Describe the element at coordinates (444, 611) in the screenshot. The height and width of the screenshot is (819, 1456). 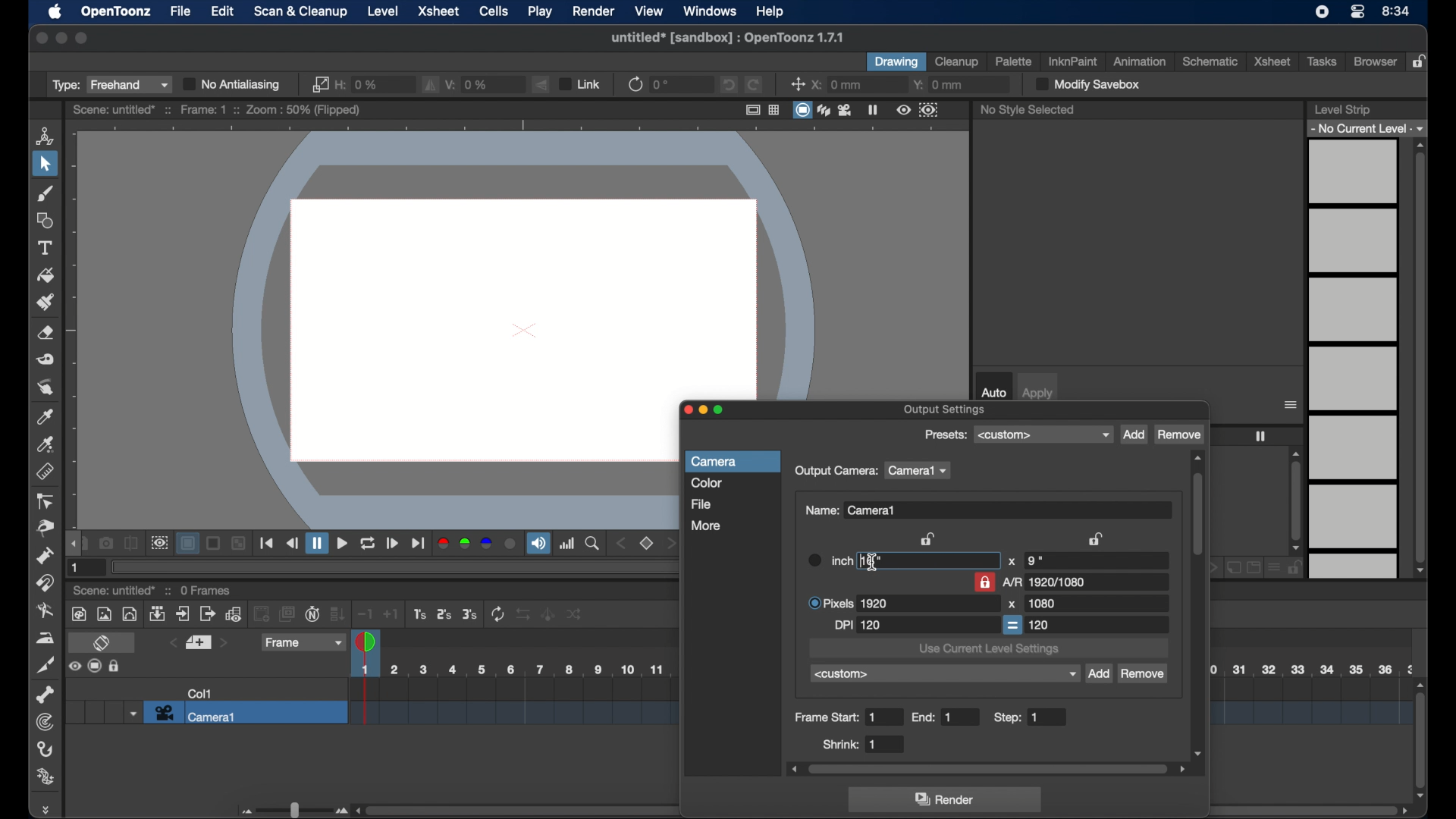
I see `` at that location.